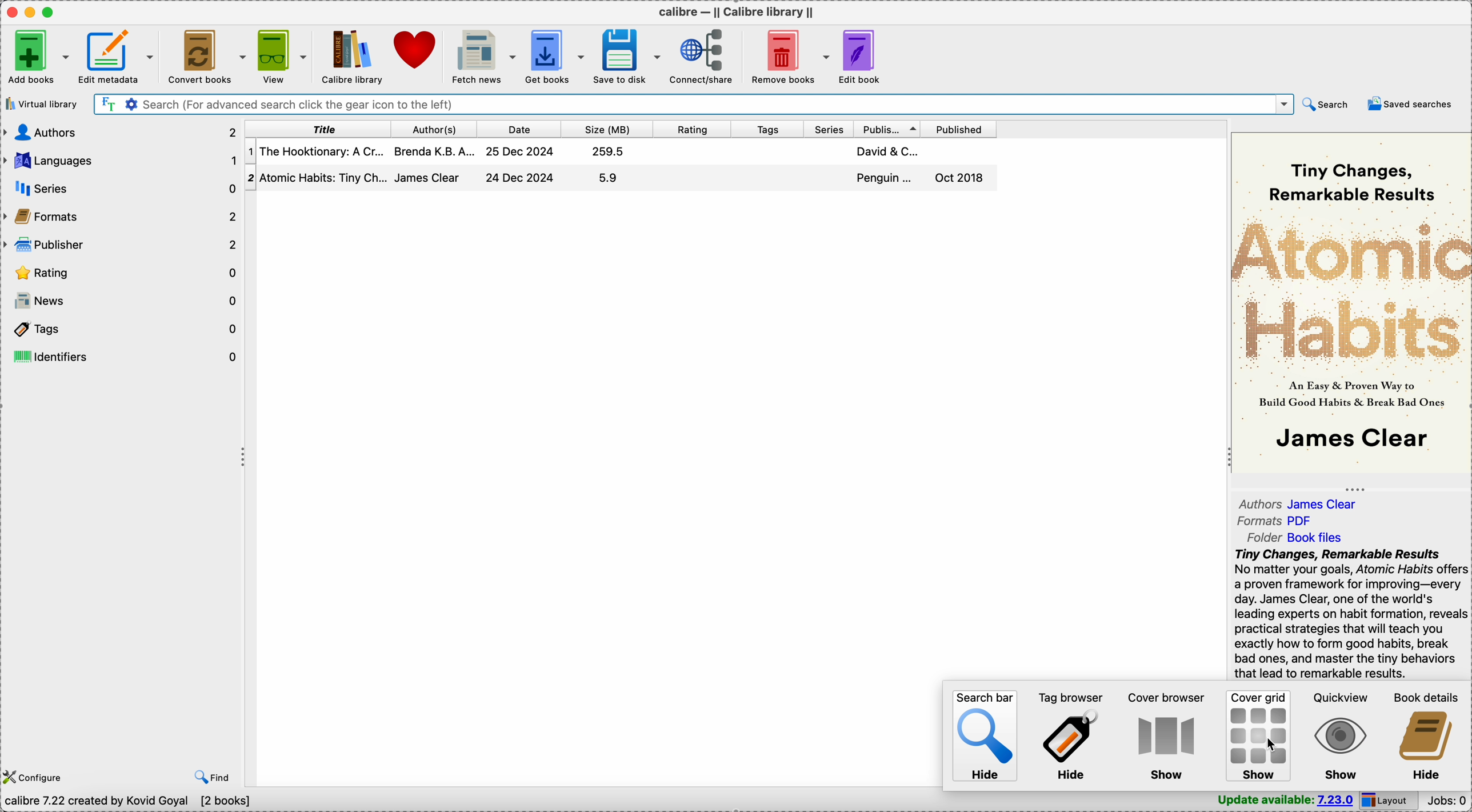 Image resolution: width=1472 pixels, height=812 pixels. Describe the element at coordinates (130, 105) in the screenshot. I see `advanced search` at that location.